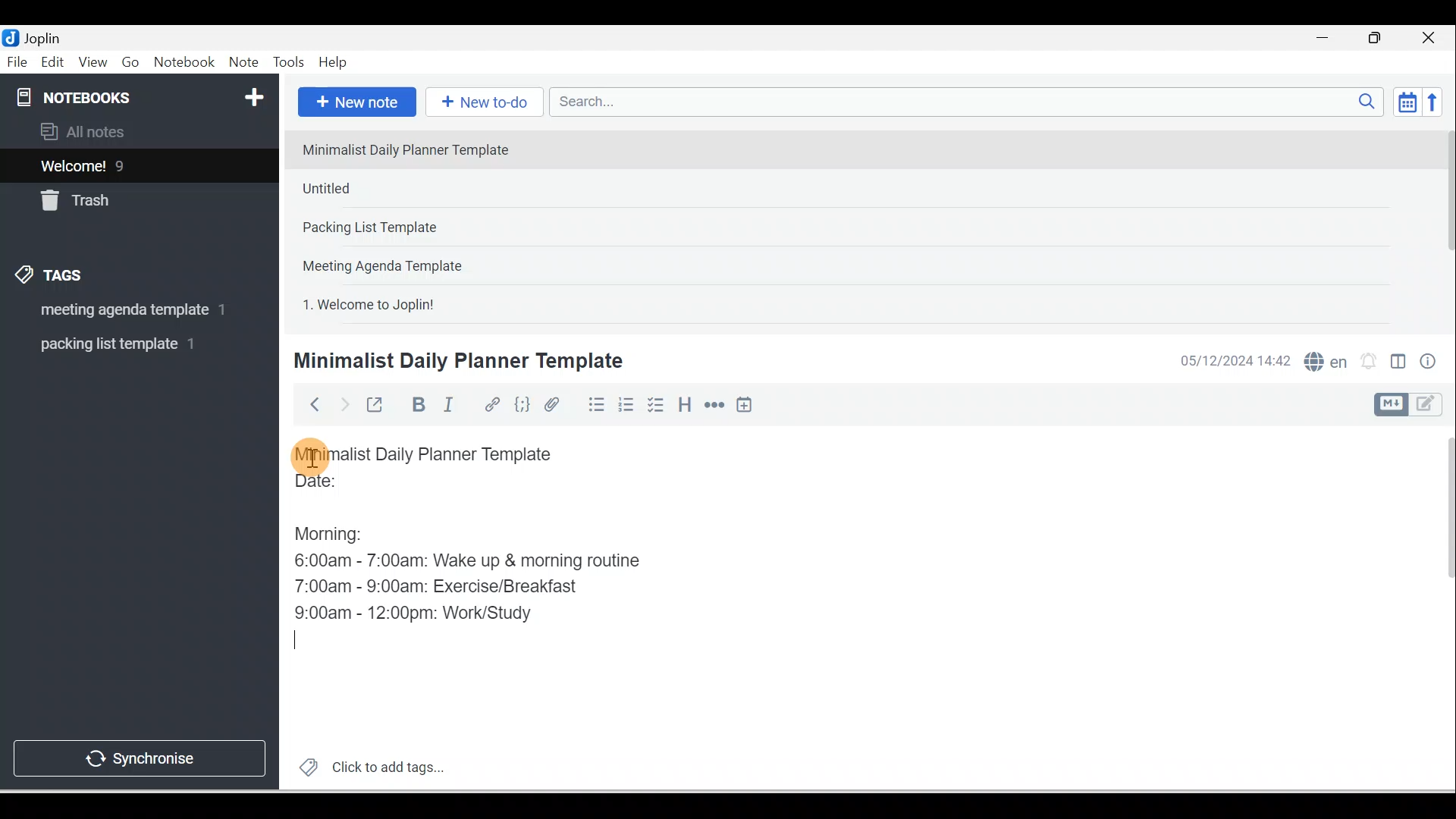  What do you see at coordinates (1432, 38) in the screenshot?
I see `Close` at bounding box center [1432, 38].